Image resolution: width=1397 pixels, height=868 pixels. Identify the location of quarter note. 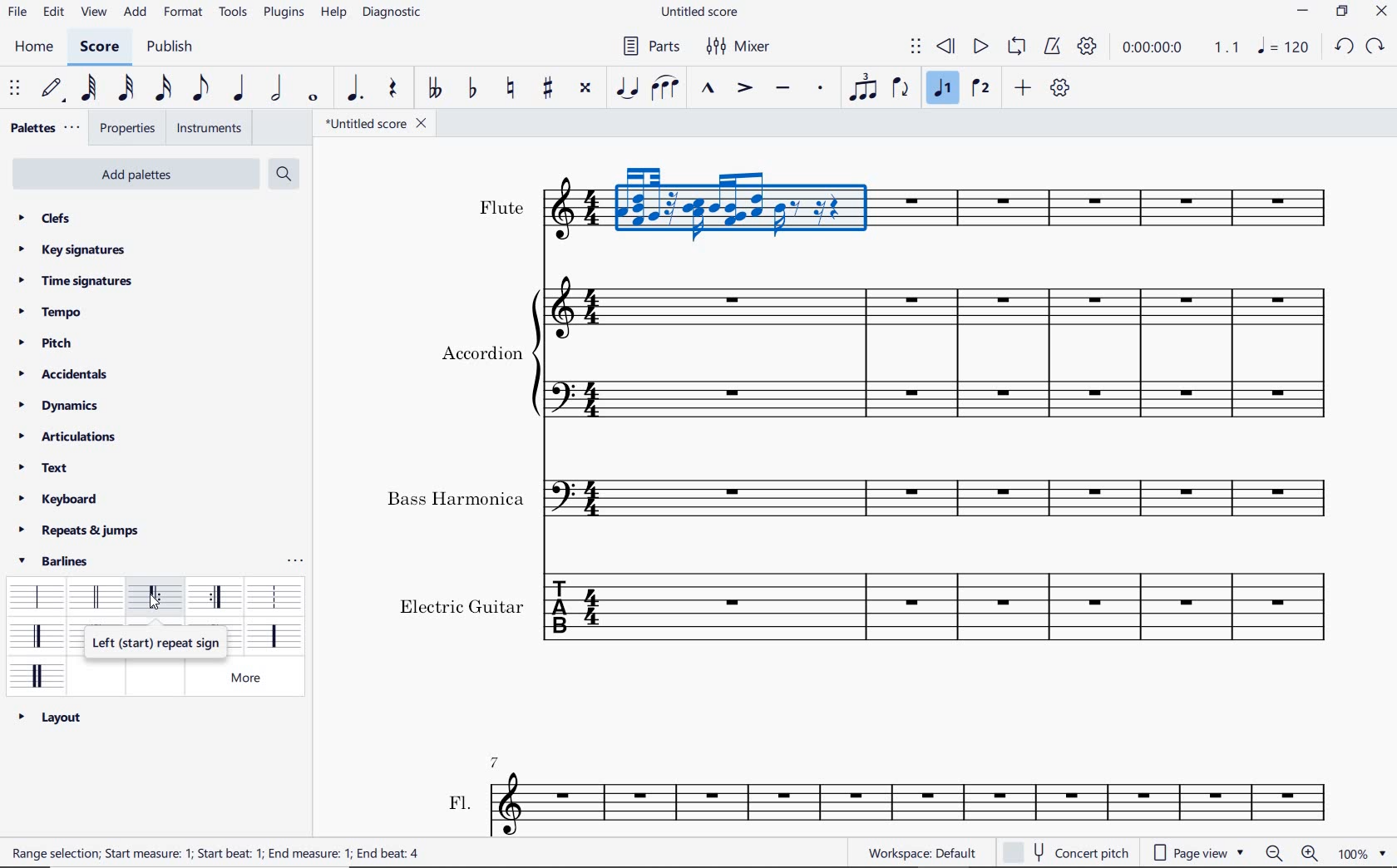
(239, 89).